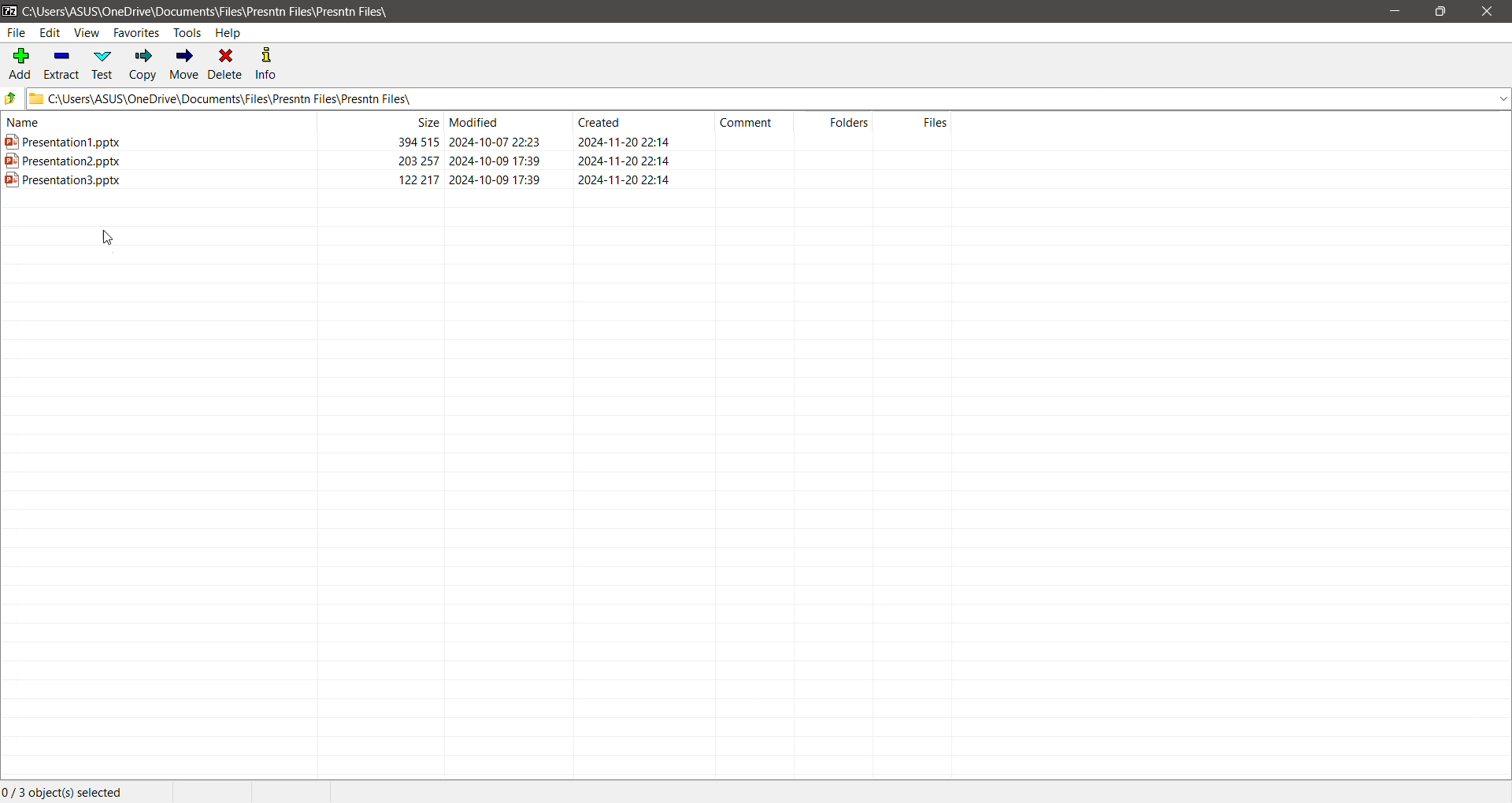 The image size is (1512, 803). What do you see at coordinates (495, 160) in the screenshot?
I see `modified date & time` at bounding box center [495, 160].